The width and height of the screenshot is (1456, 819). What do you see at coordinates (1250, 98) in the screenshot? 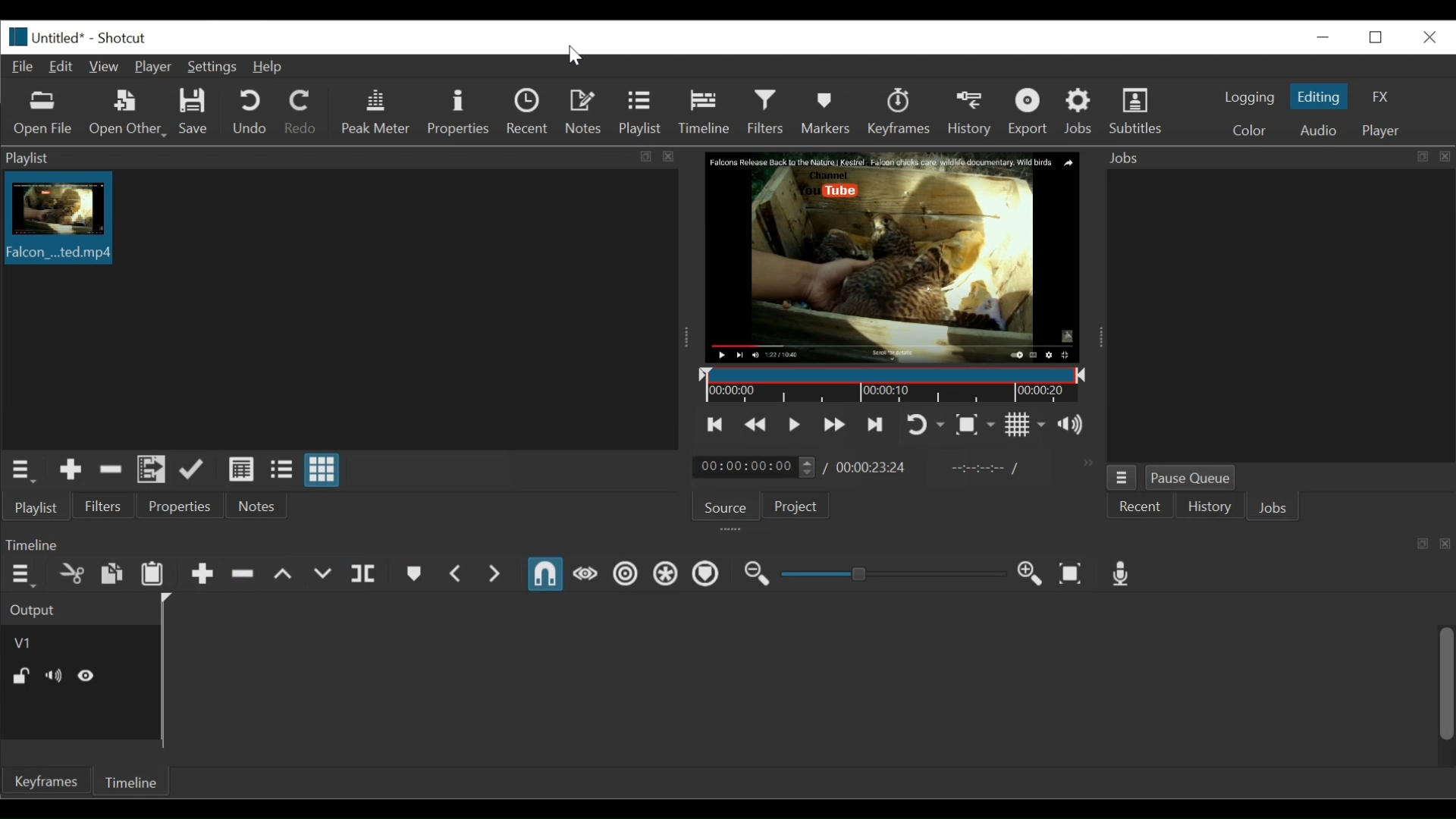
I see `logging` at bounding box center [1250, 98].